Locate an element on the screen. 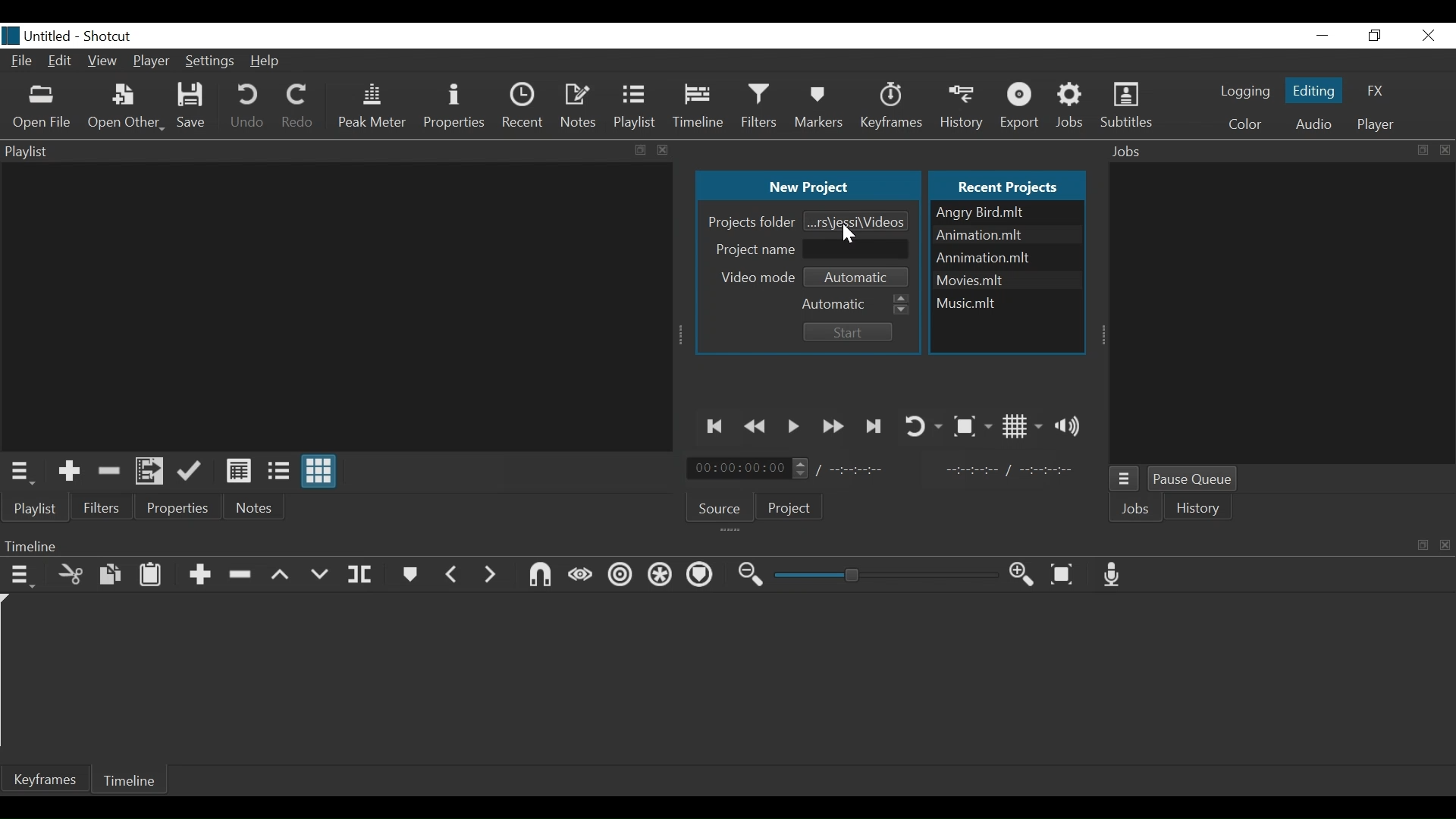  File name is located at coordinates (1008, 278).